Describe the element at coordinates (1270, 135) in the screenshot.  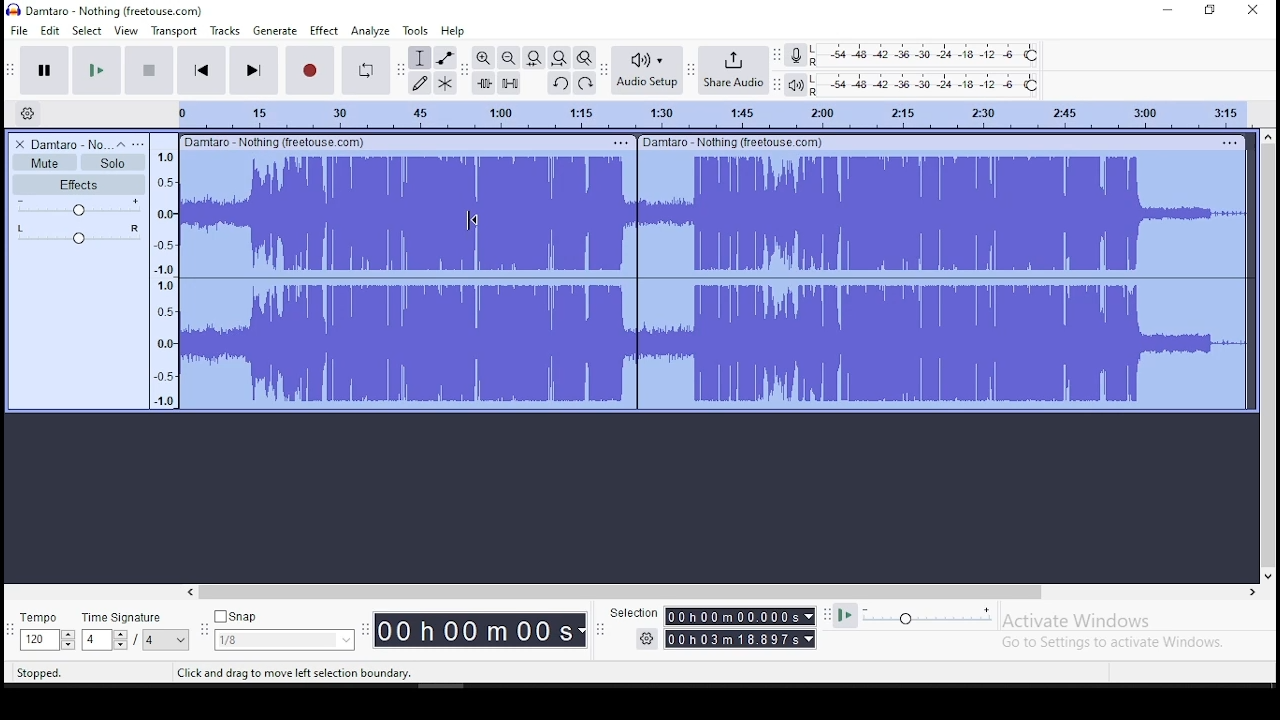
I see `scroll up` at that location.